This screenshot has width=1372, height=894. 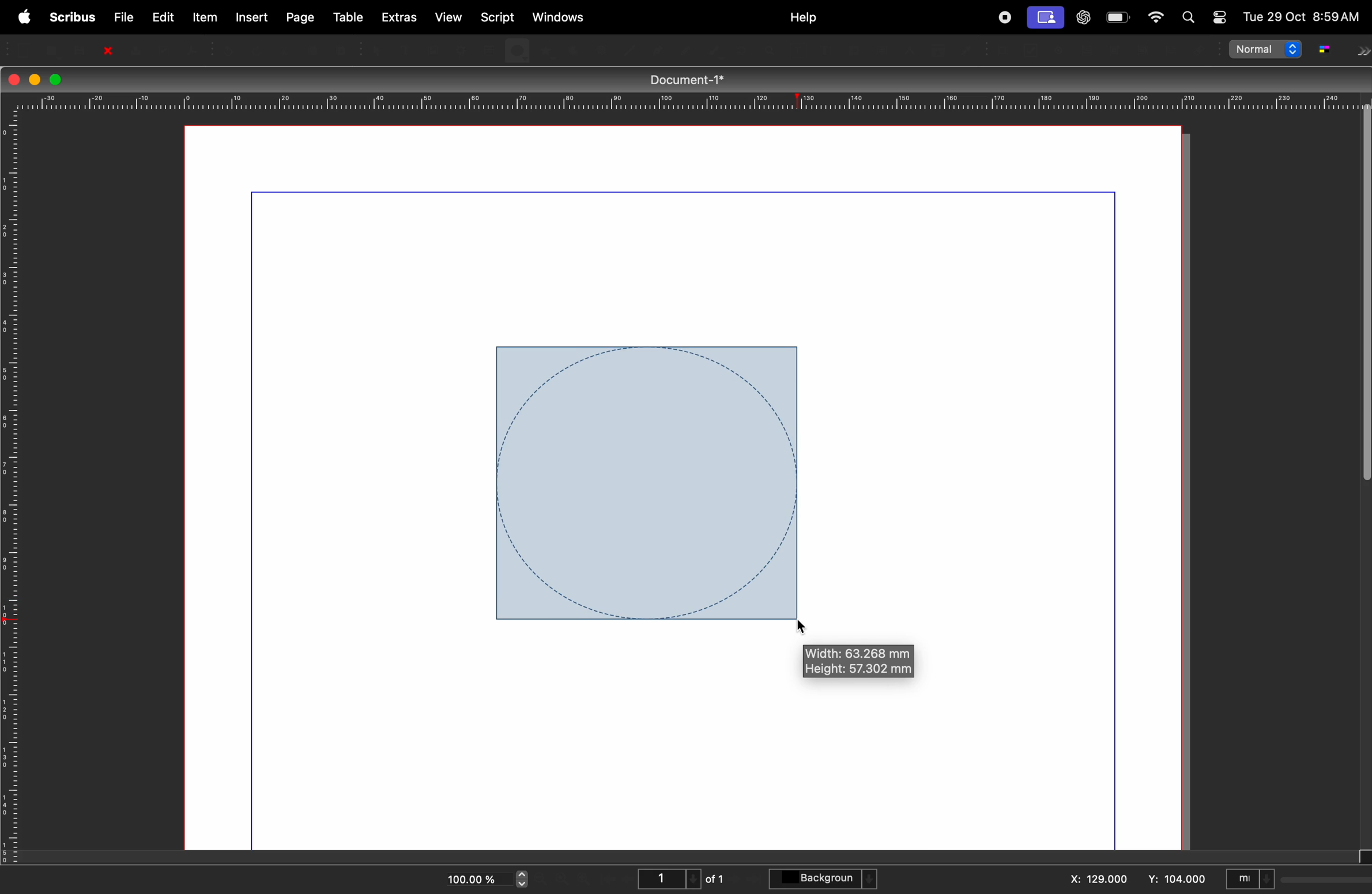 I want to click on Table, so click(x=487, y=49).